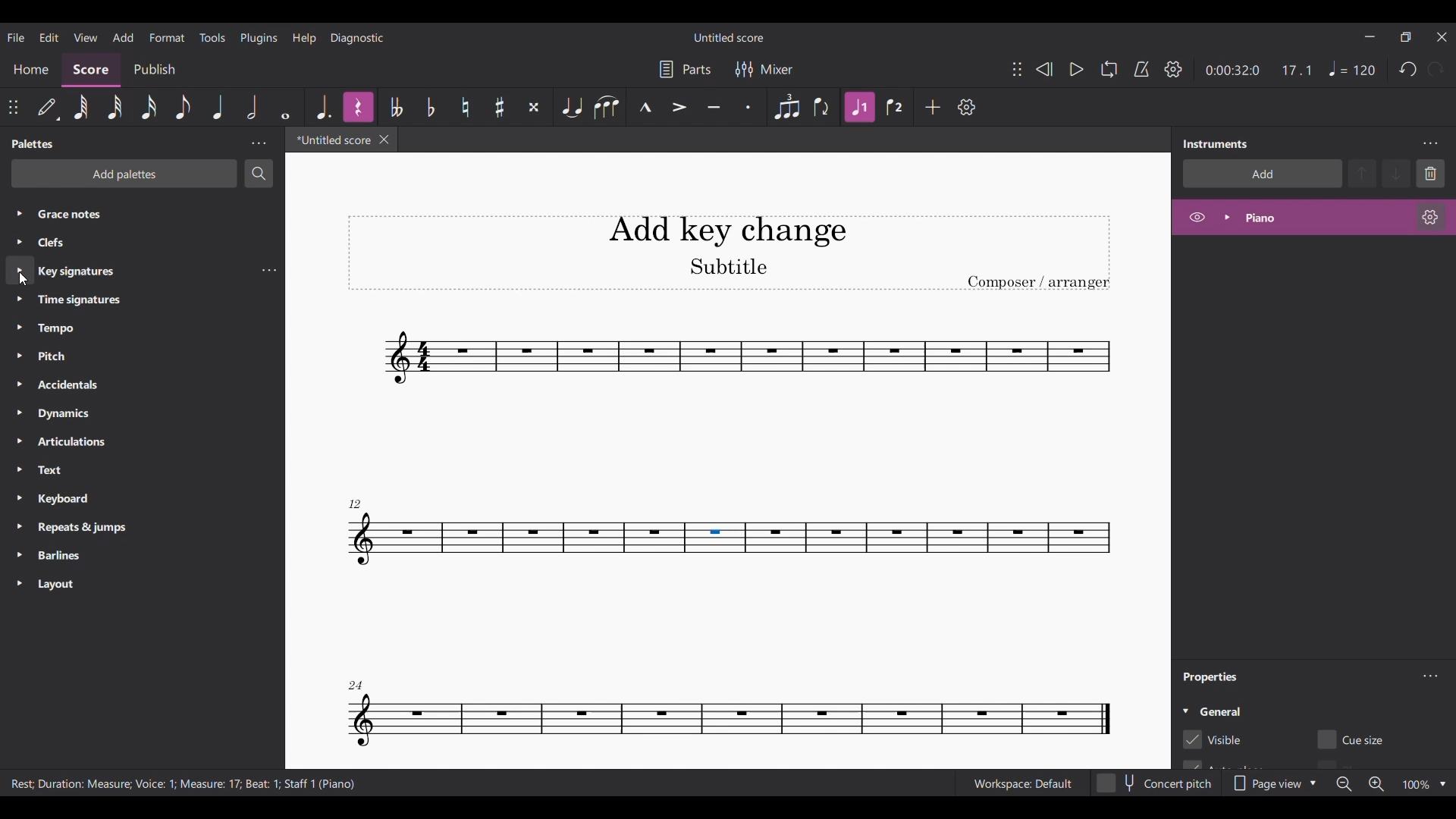  What do you see at coordinates (31, 73) in the screenshot?
I see `Home section` at bounding box center [31, 73].